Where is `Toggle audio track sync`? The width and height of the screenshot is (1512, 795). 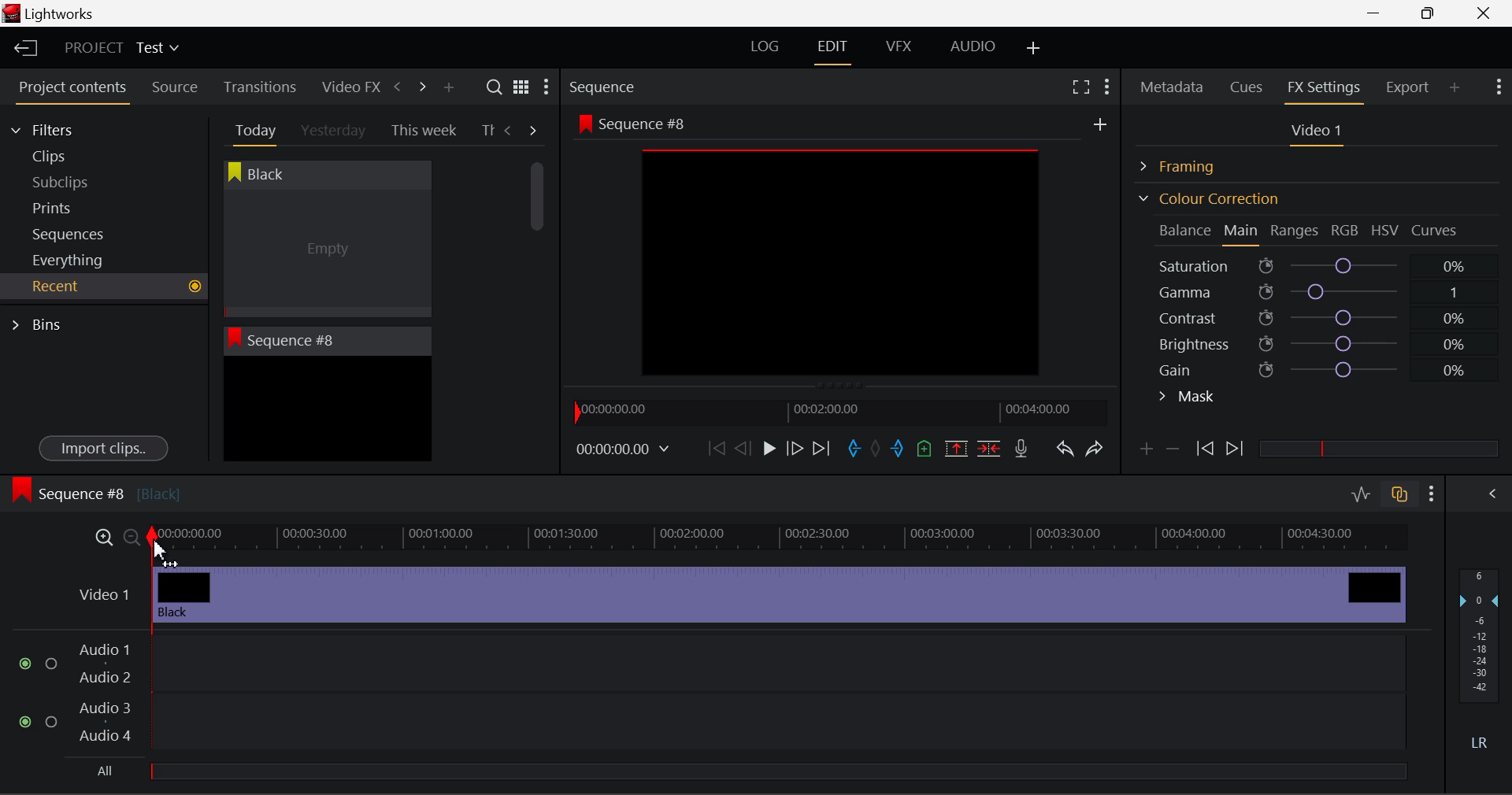 Toggle audio track sync is located at coordinates (1400, 493).